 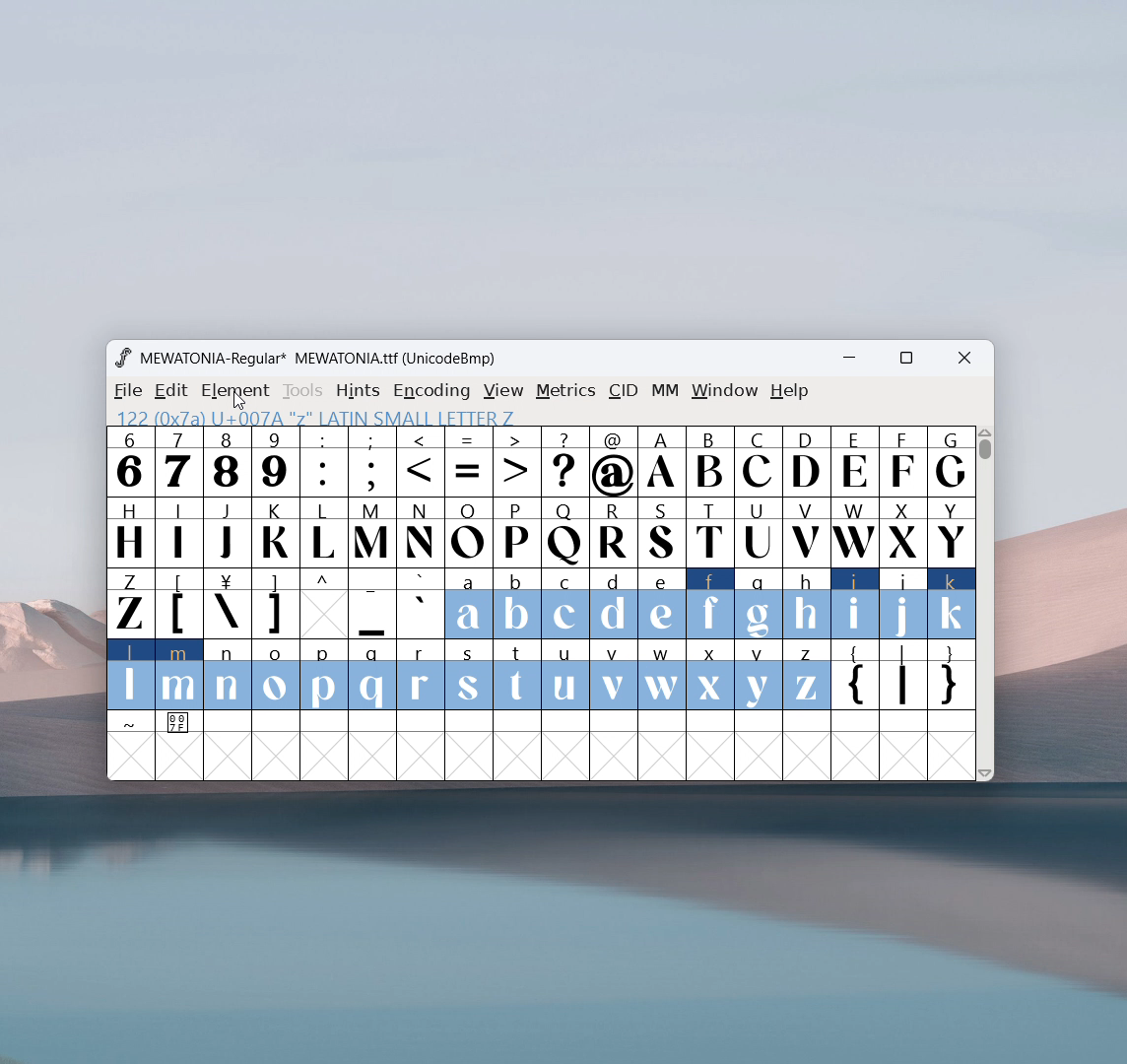 I want to click on K, so click(x=277, y=532).